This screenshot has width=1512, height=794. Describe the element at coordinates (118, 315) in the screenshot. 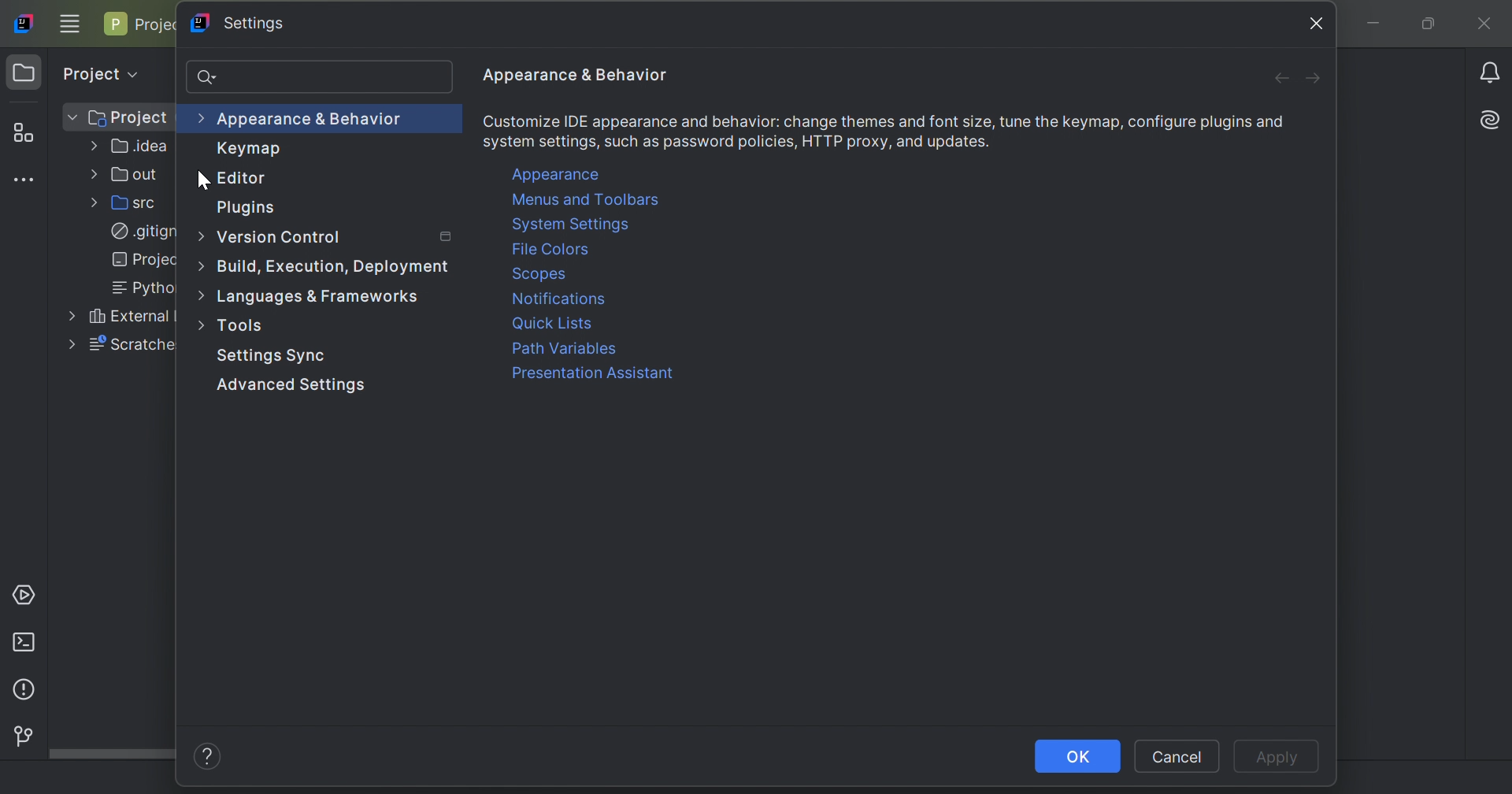

I see `External` at that location.